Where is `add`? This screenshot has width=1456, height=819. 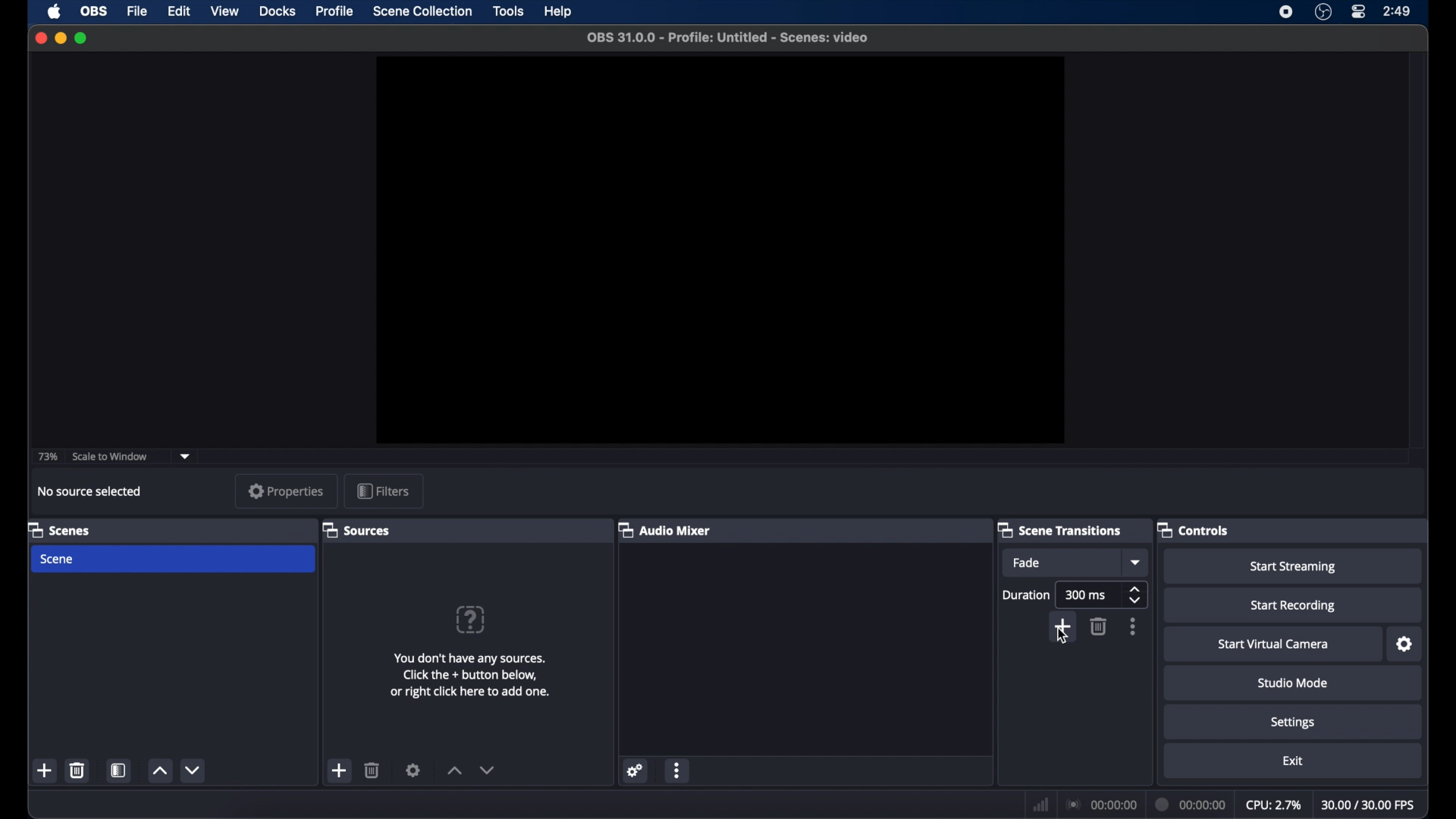
add is located at coordinates (45, 772).